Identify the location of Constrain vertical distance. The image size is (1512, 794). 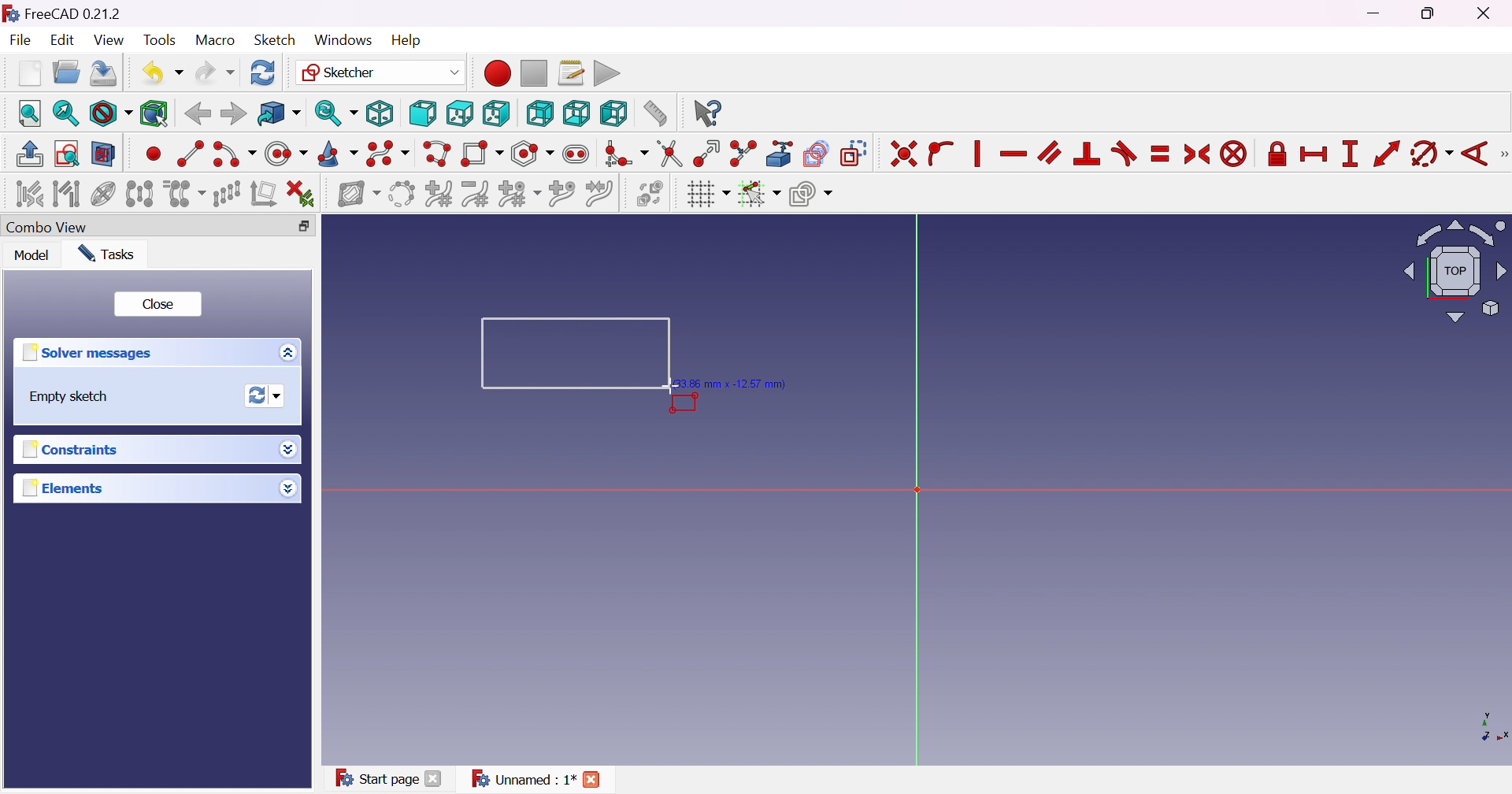
(1350, 154).